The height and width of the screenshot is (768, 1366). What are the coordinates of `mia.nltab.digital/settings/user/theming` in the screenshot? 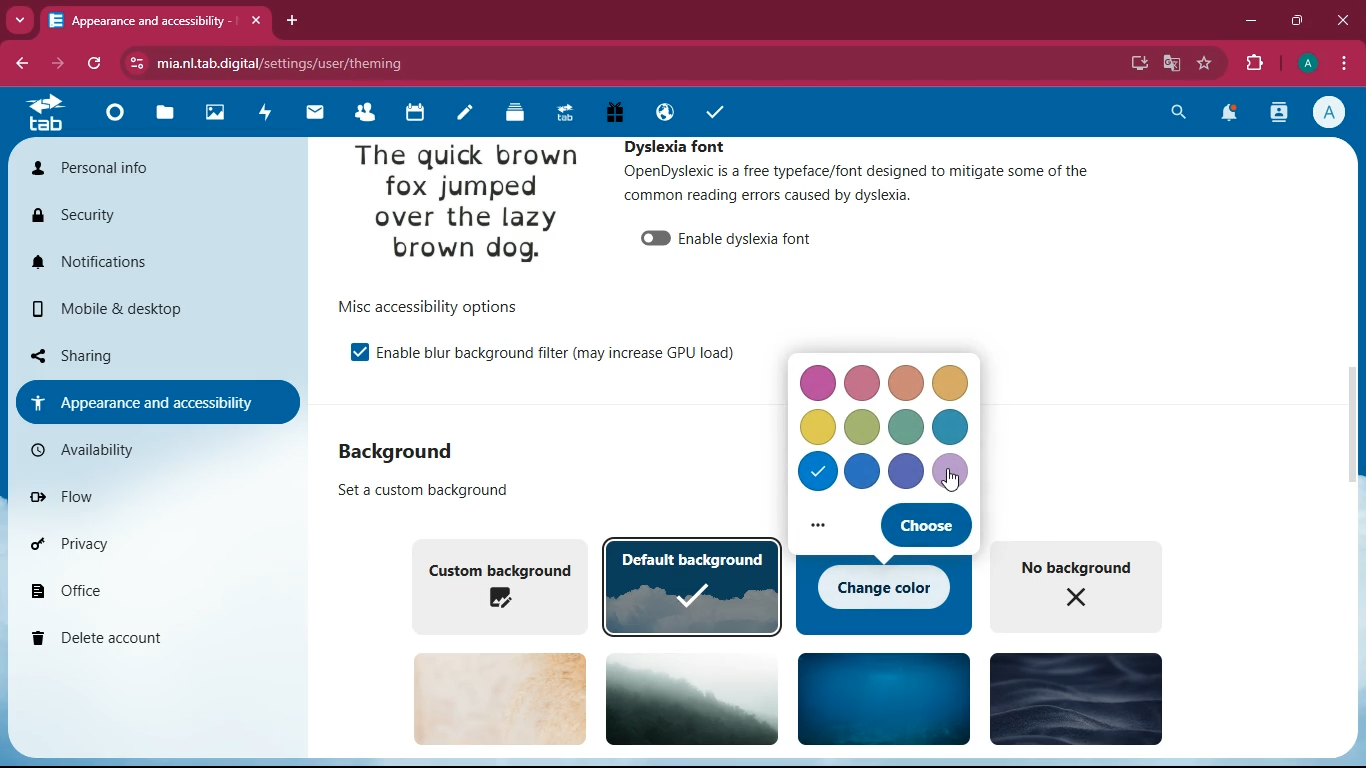 It's located at (266, 60).